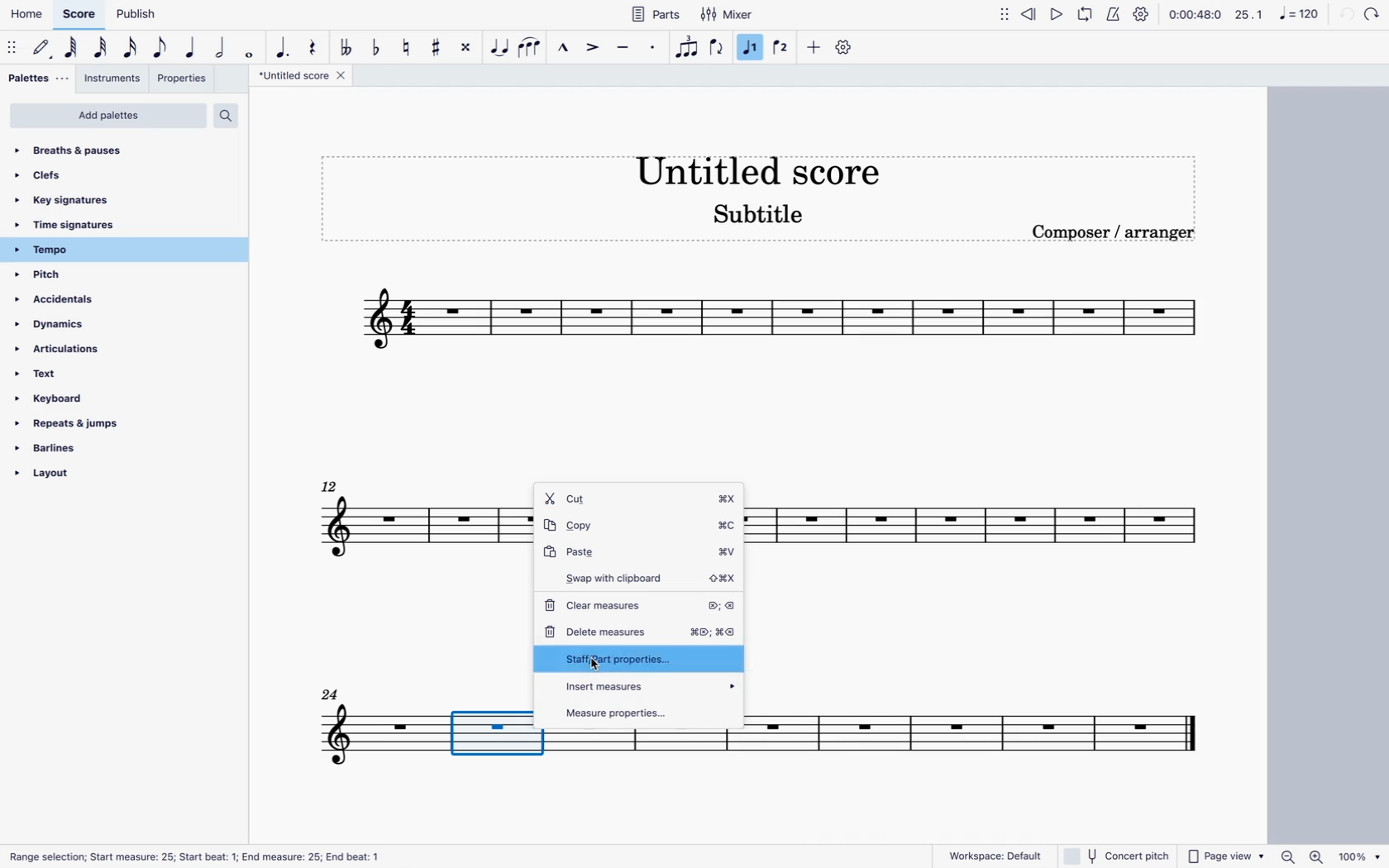 The height and width of the screenshot is (868, 1389). I want to click on barlines, so click(76, 449).